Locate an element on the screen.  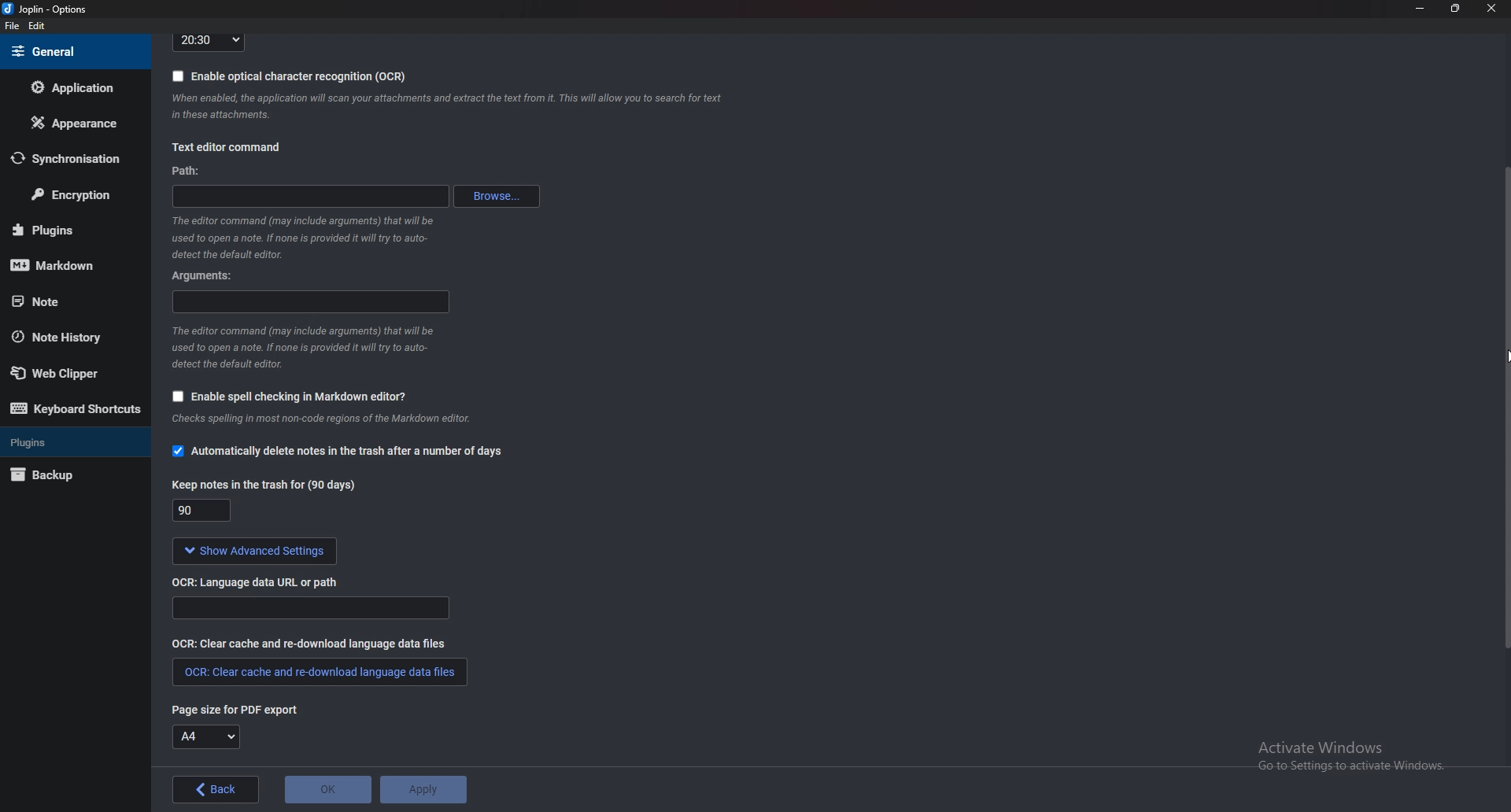
ok is located at coordinates (328, 790).